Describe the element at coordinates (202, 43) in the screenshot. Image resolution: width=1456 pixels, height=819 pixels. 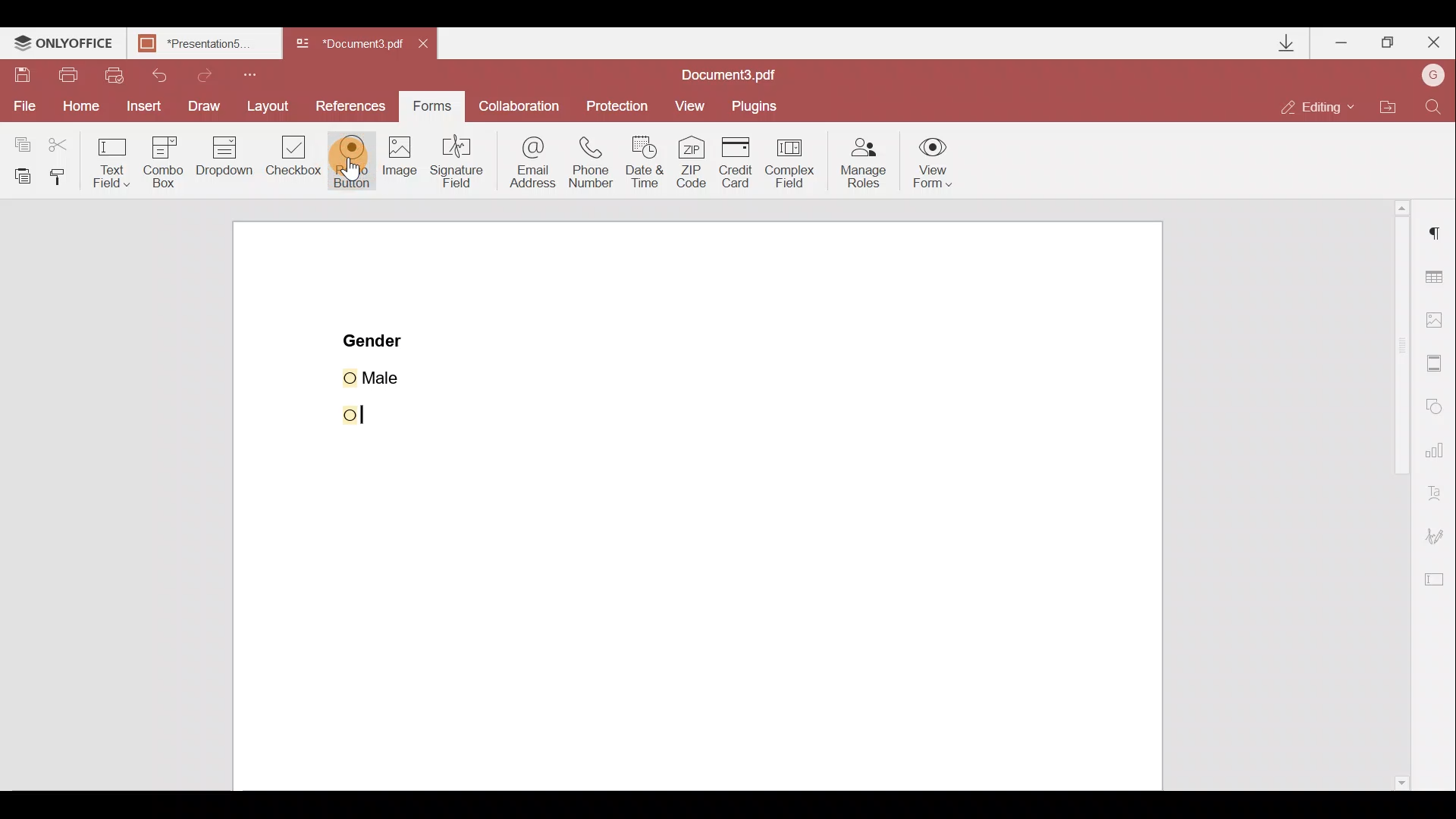
I see `Document name` at that location.